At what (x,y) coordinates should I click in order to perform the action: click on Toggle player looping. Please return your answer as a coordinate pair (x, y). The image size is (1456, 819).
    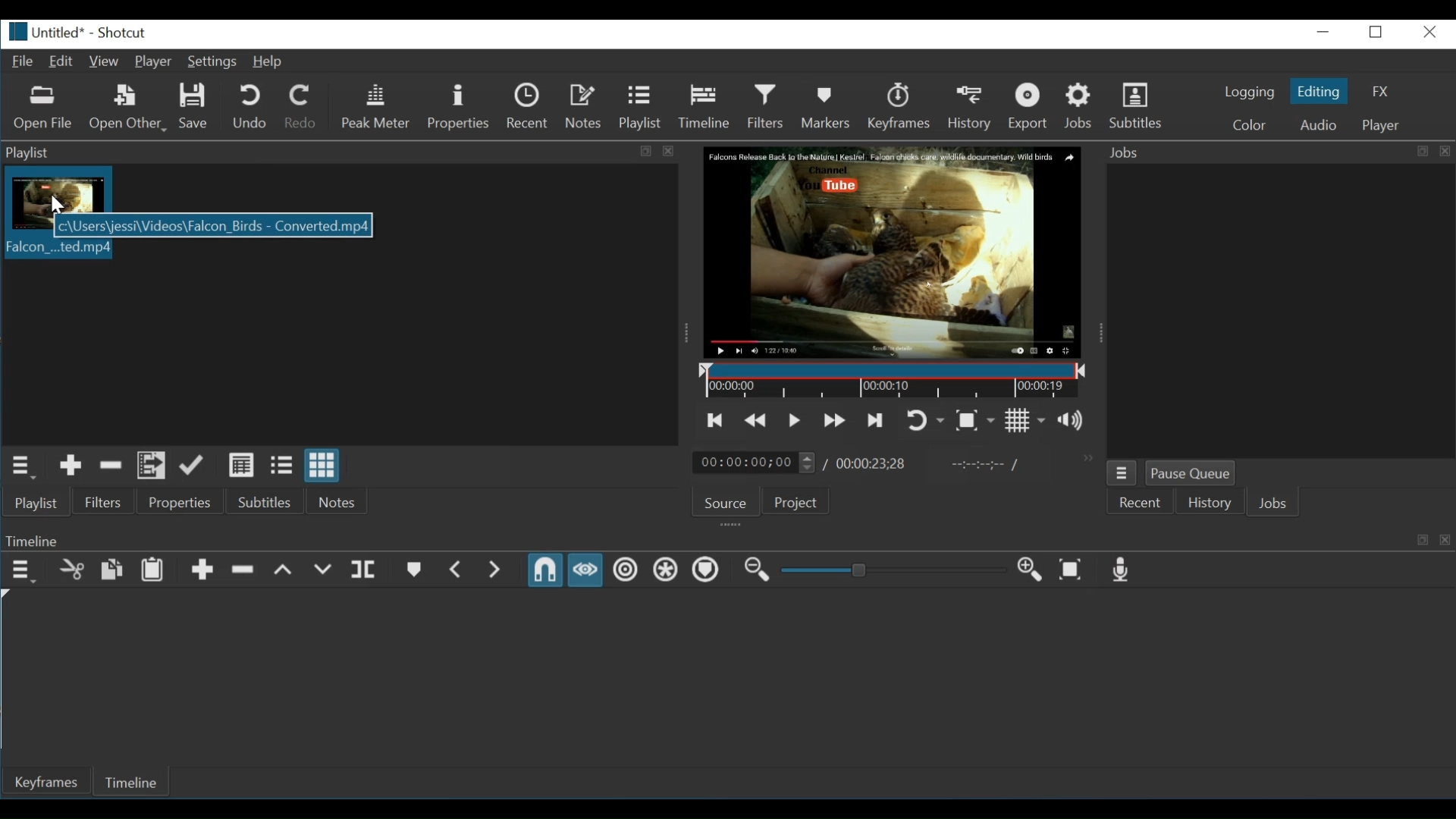
    Looking at the image, I should click on (926, 421).